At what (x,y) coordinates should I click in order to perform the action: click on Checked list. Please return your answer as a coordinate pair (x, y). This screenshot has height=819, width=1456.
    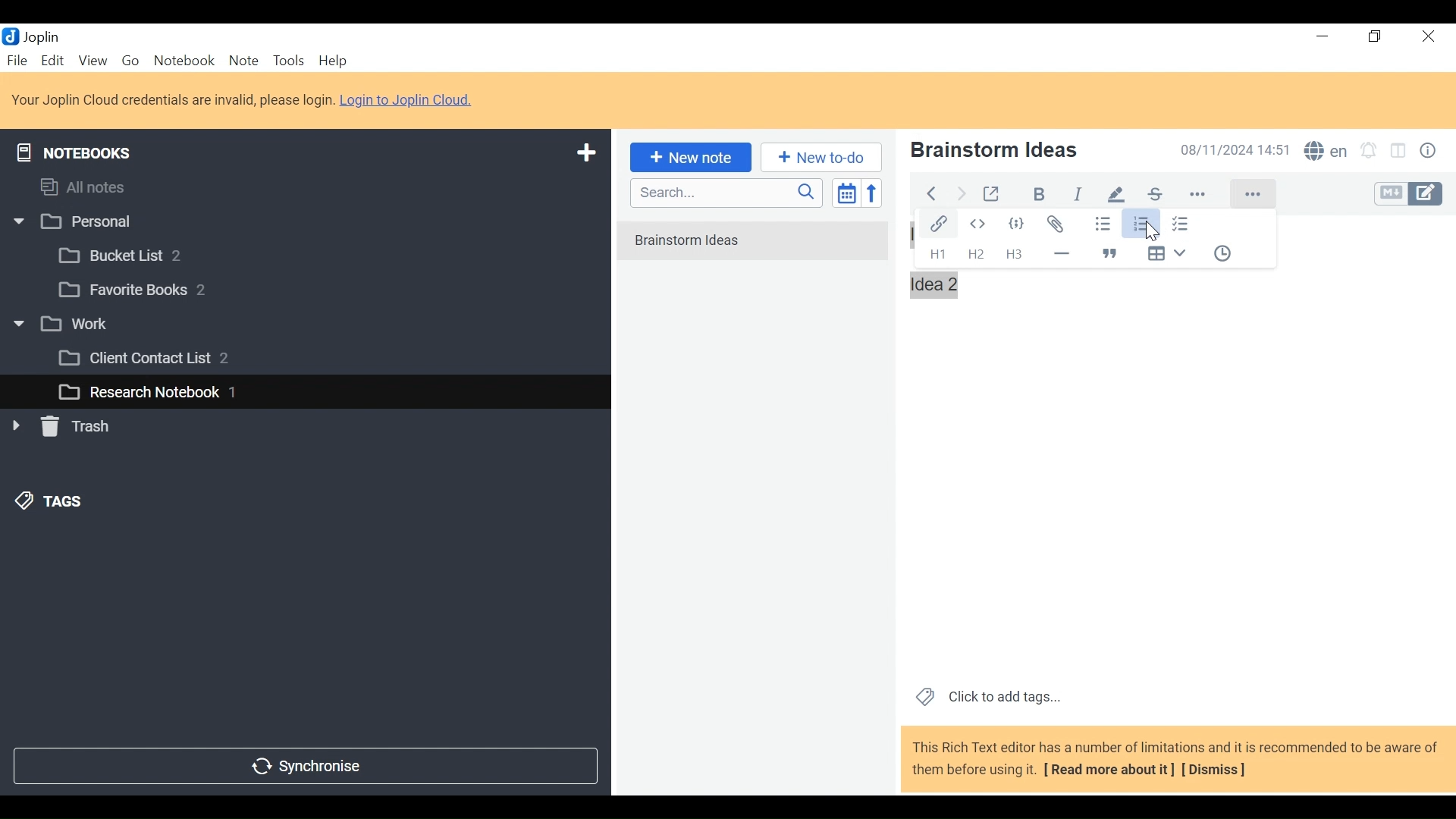
    Looking at the image, I should click on (1181, 224).